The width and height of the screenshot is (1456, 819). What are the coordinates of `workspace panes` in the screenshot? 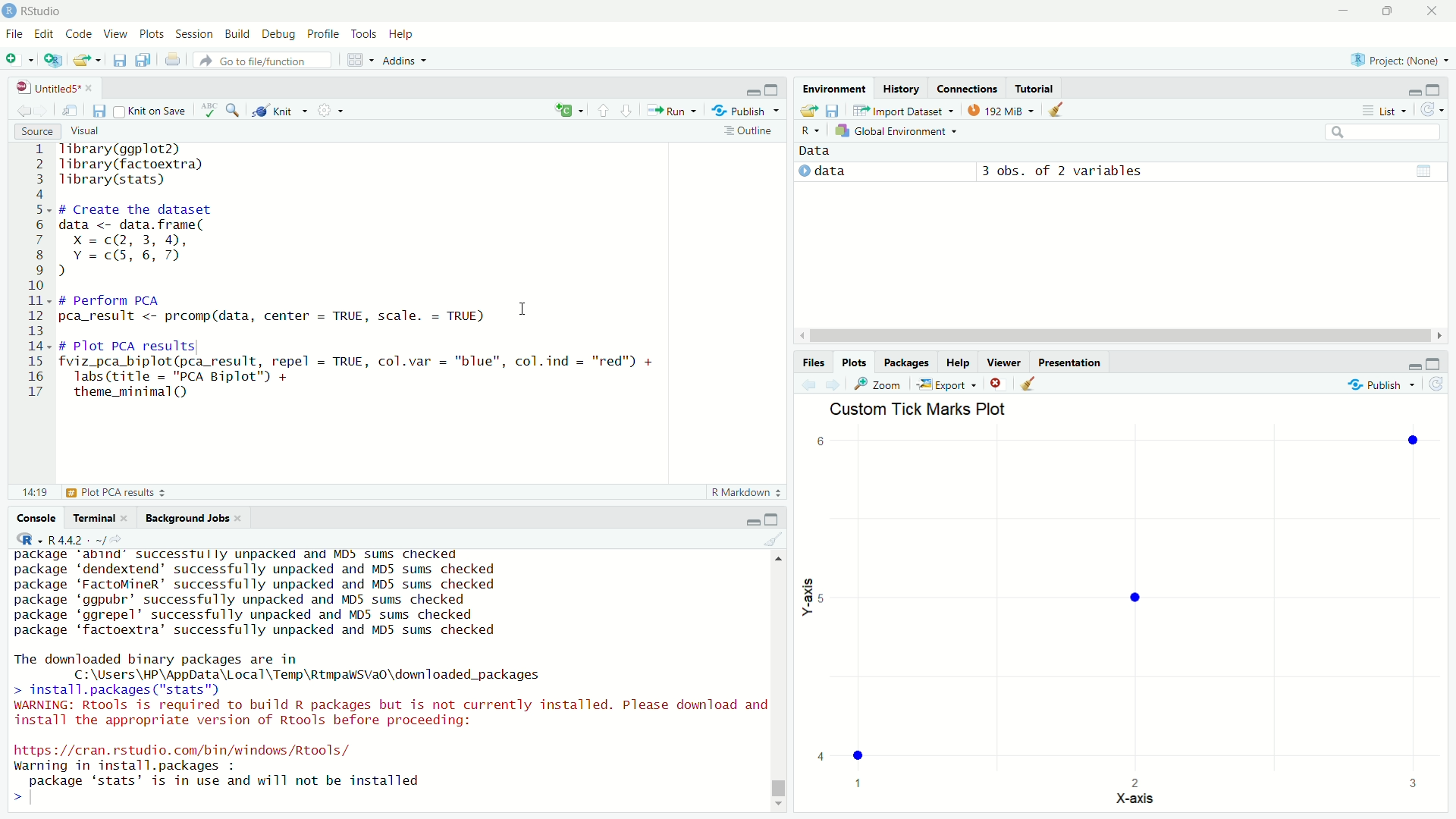 It's located at (357, 60).